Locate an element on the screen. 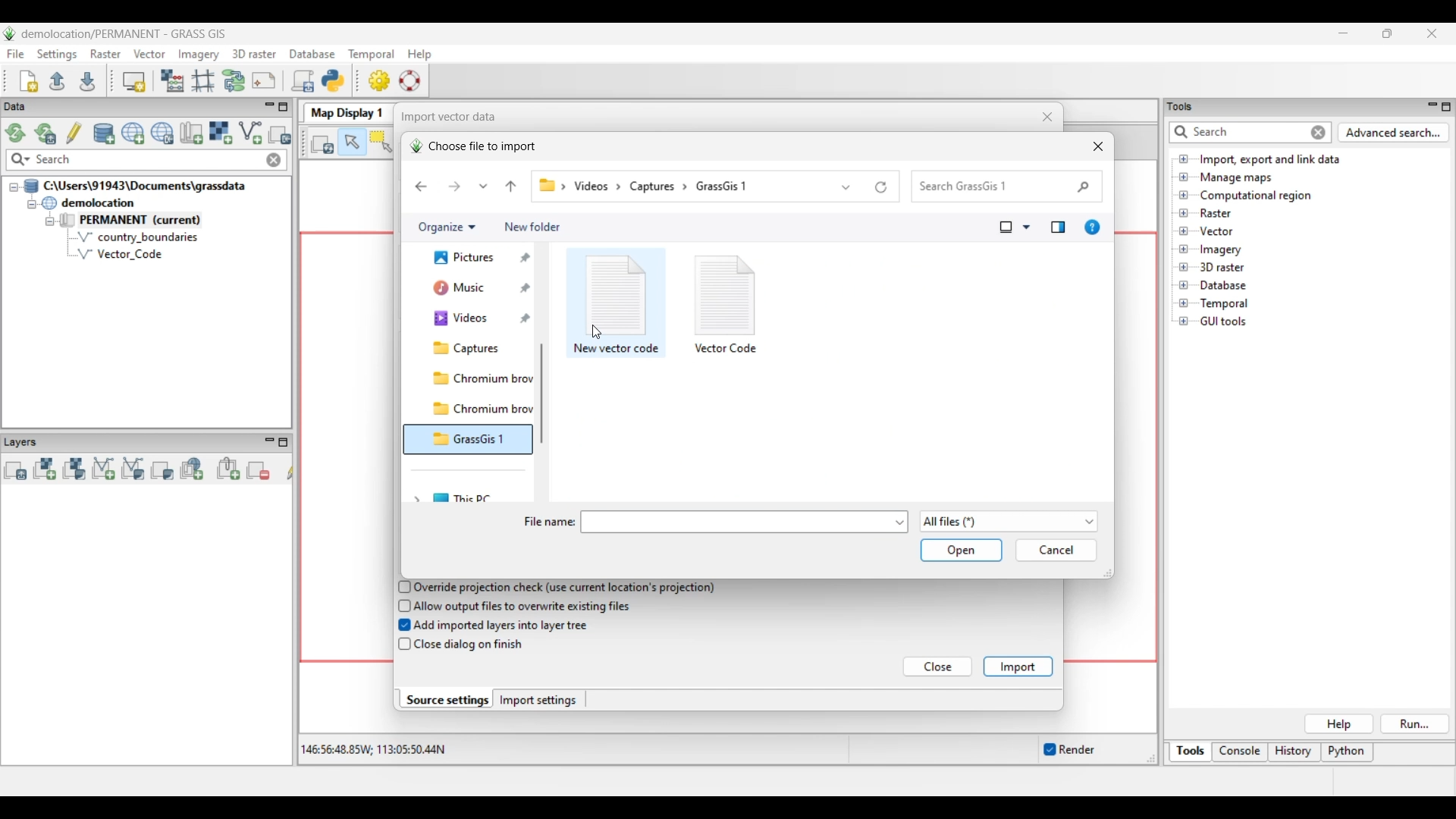 This screenshot has width=1456, height=819. Double click to see files under 3D raster is located at coordinates (1222, 267).